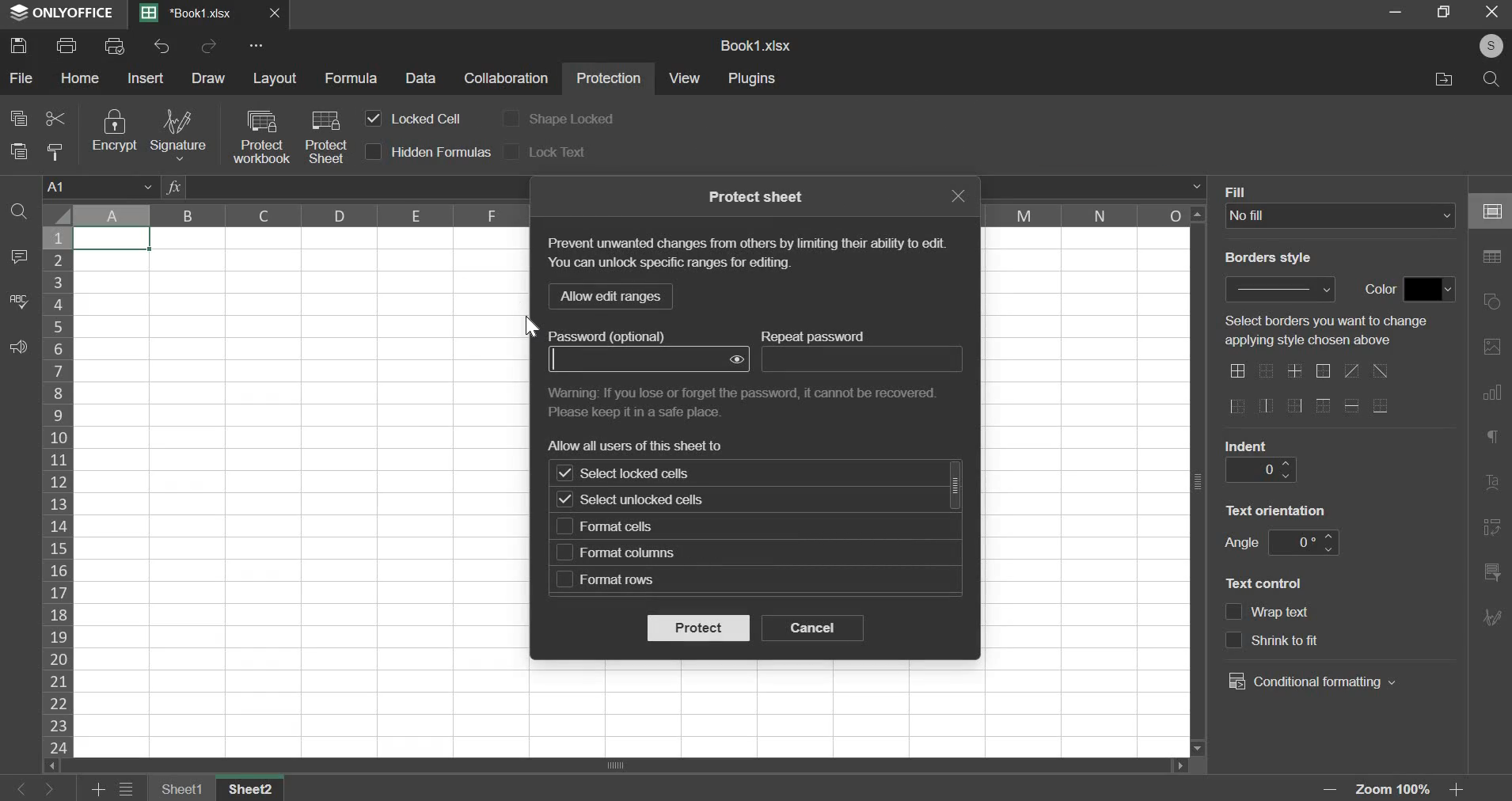 The height and width of the screenshot is (801, 1512). I want to click on llow edit range, so click(609, 296).